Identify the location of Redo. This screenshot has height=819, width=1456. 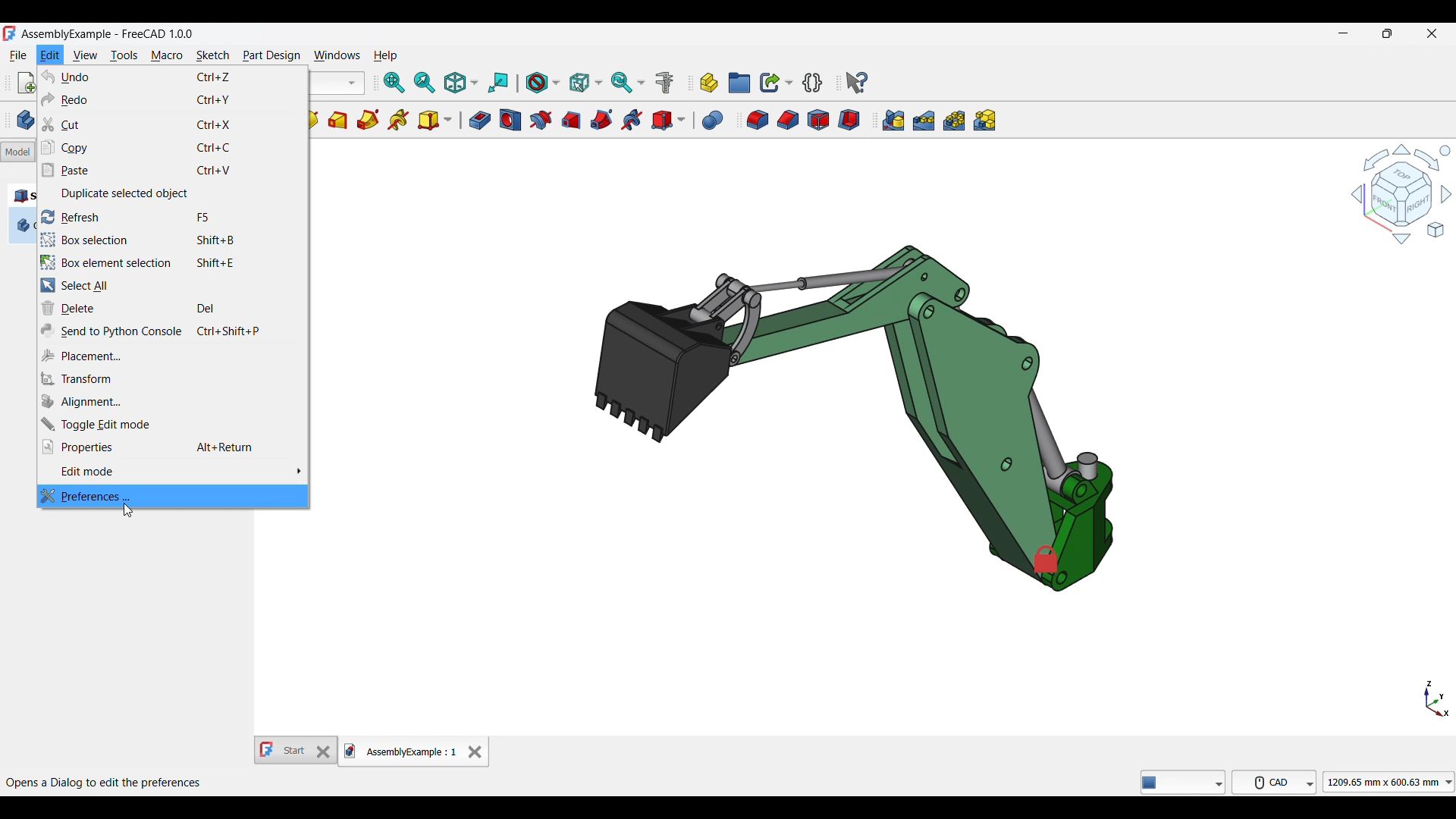
(174, 99).